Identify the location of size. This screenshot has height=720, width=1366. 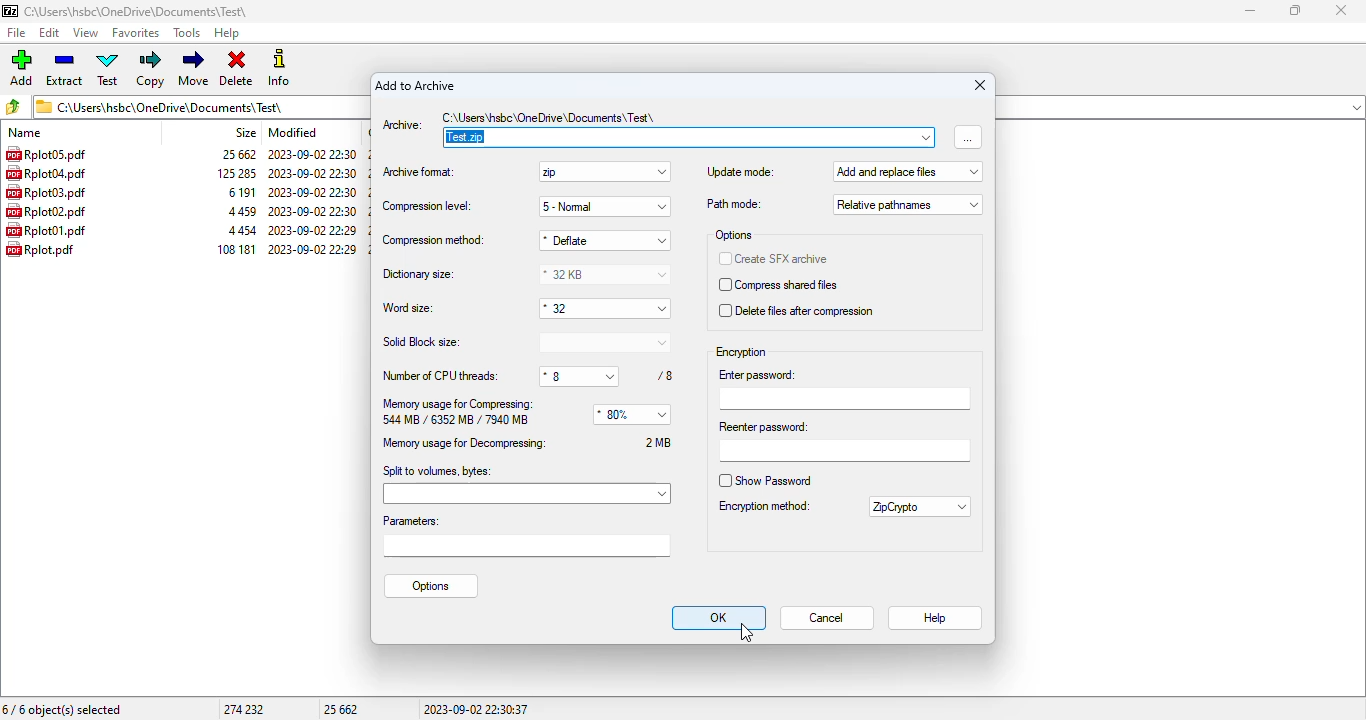
(240, 192).